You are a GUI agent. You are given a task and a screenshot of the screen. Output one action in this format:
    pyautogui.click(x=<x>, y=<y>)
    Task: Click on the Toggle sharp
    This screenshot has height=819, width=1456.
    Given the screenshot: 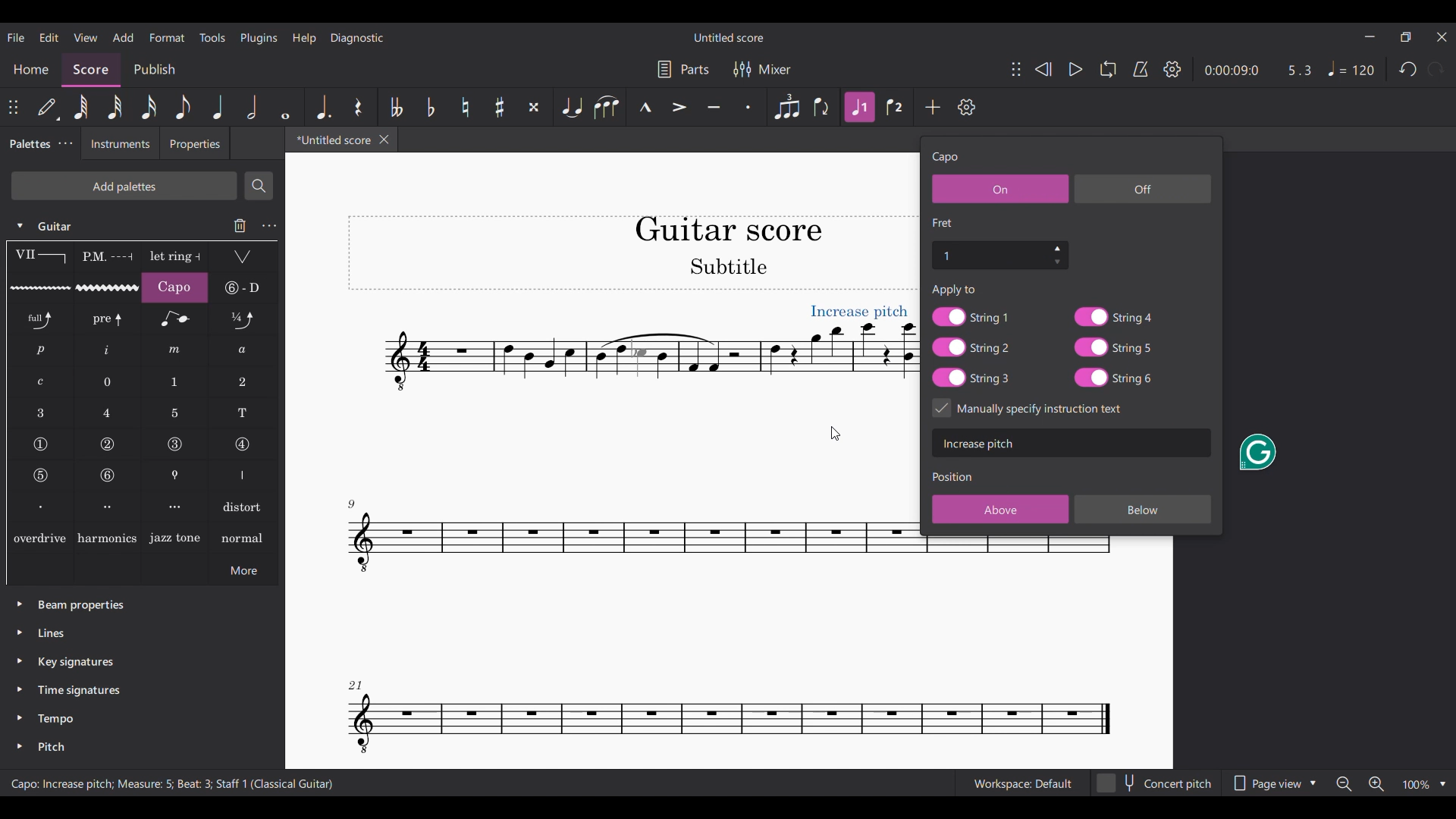 What is the action you would take?
    pyautogui.click(x=500, y=107)
    